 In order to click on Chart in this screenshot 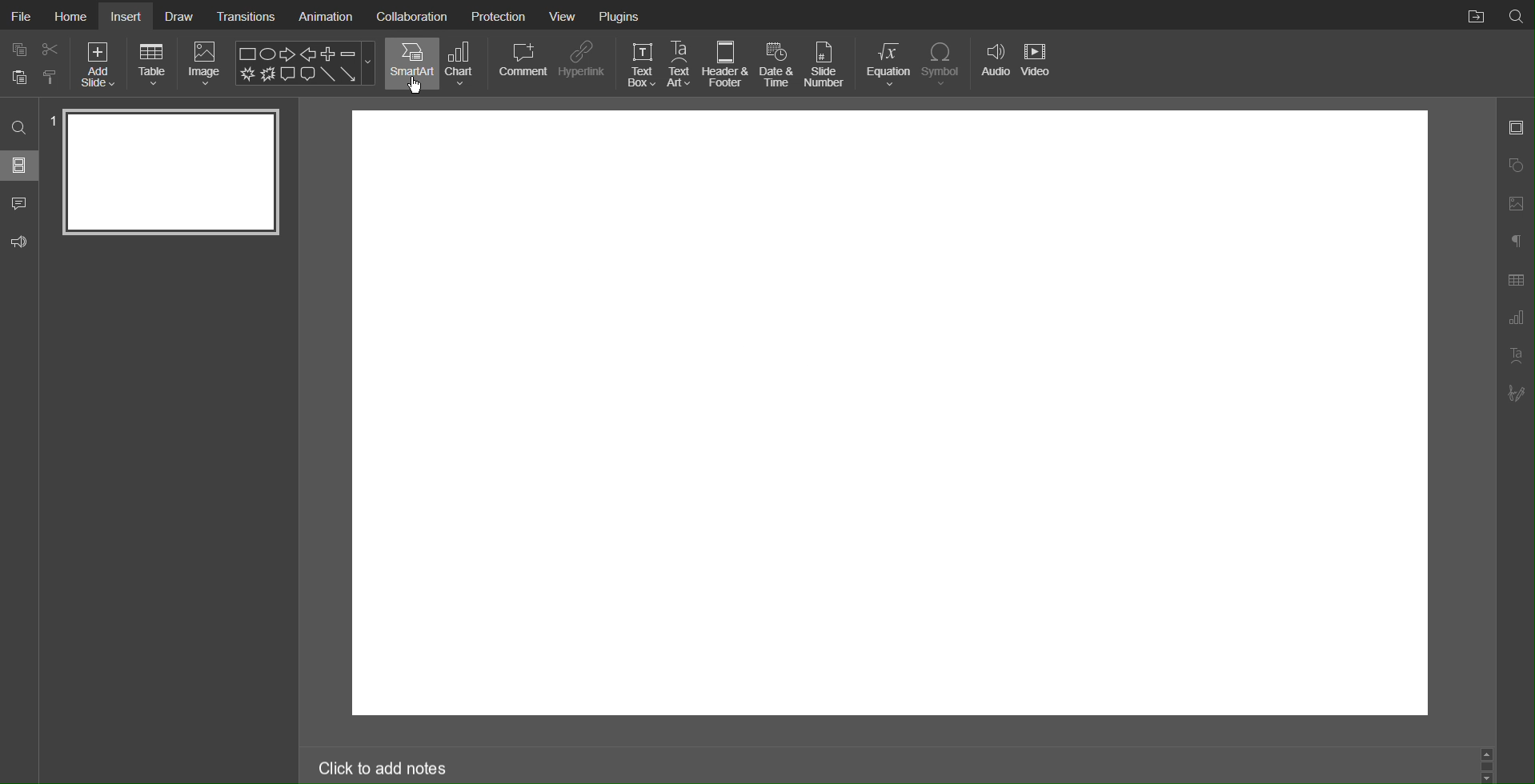, I will do `click(466, 66)`.